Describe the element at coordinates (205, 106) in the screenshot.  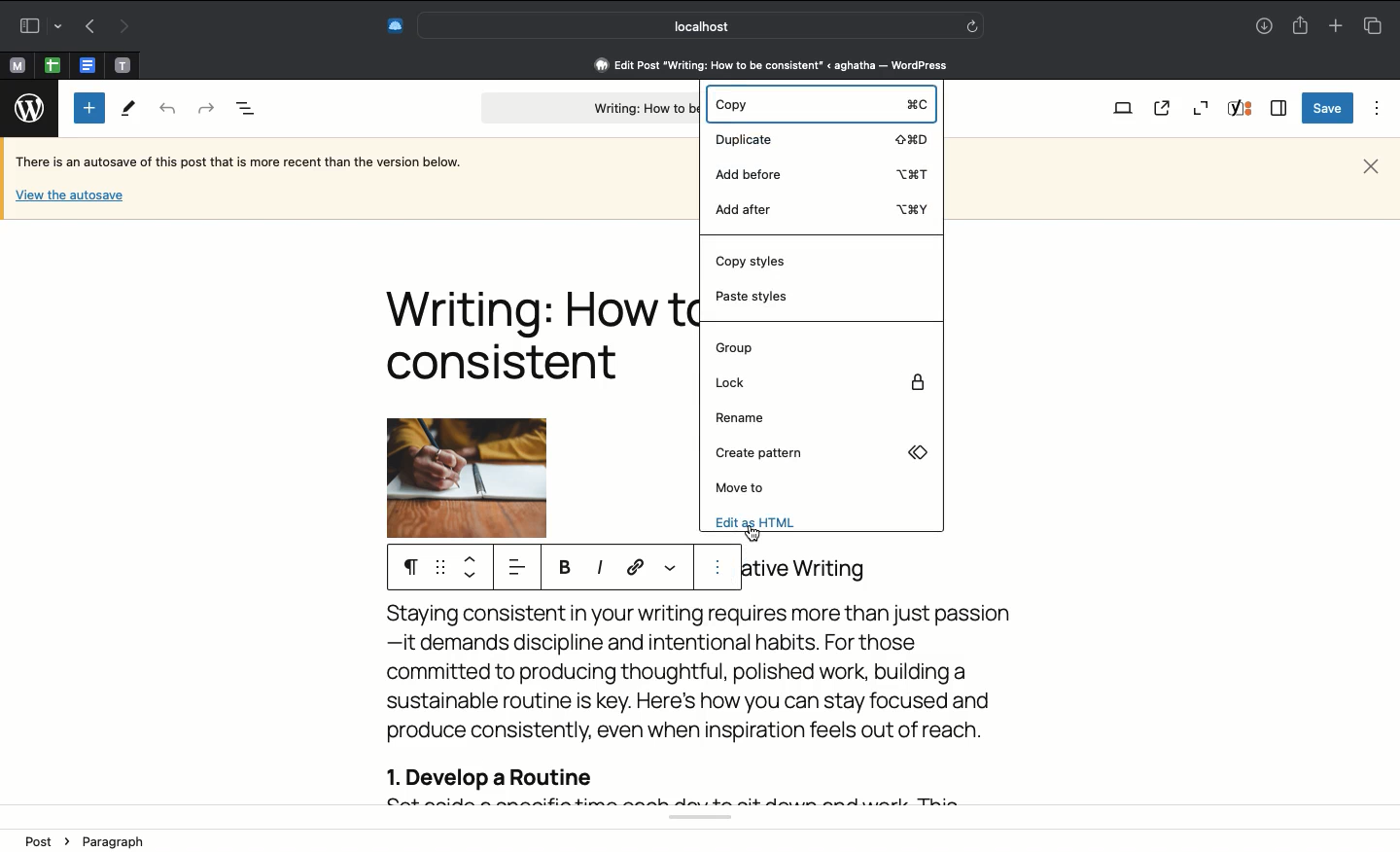
I see `Redo` at that location.